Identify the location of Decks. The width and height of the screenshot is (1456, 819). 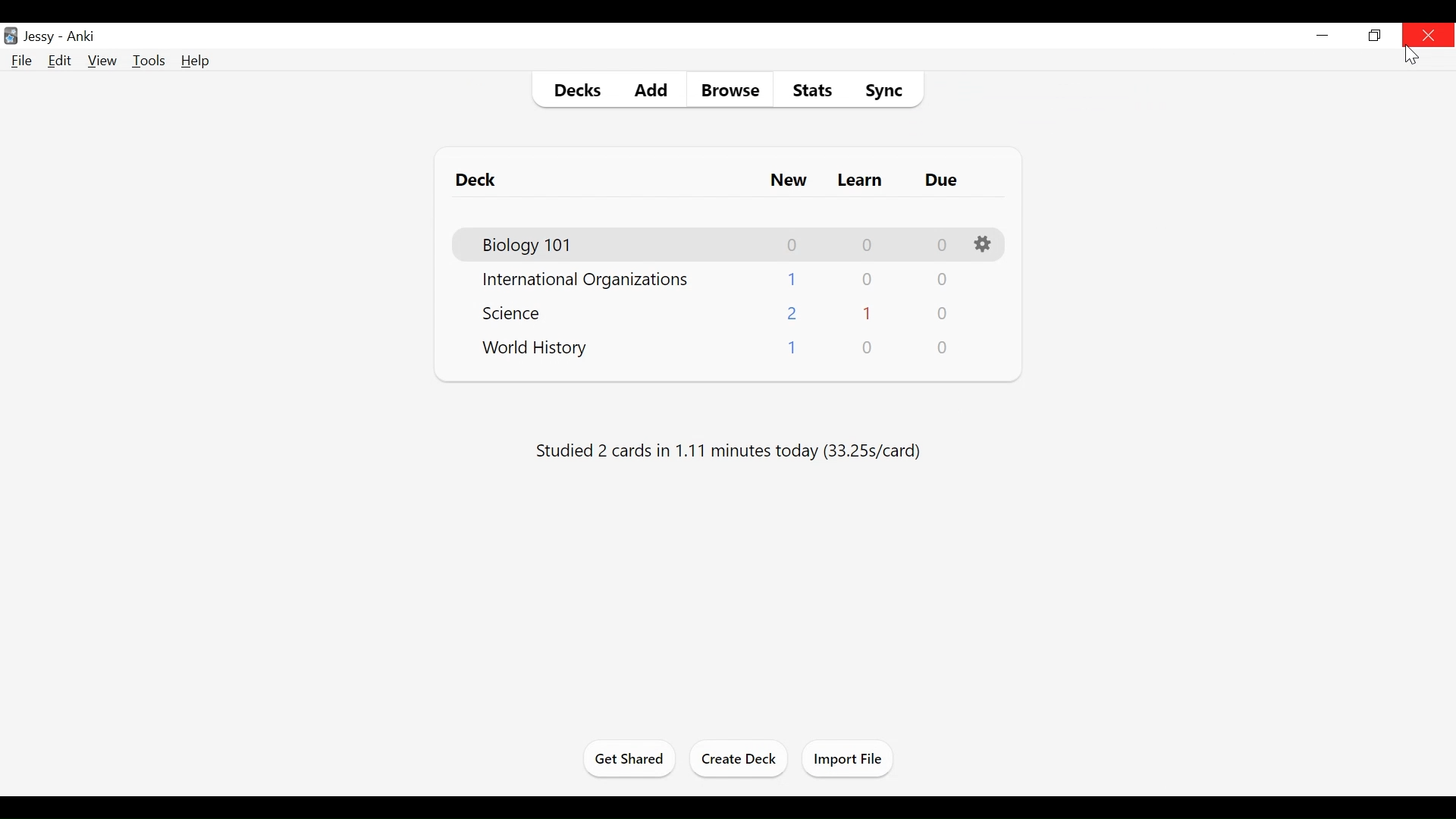
(575, 90).